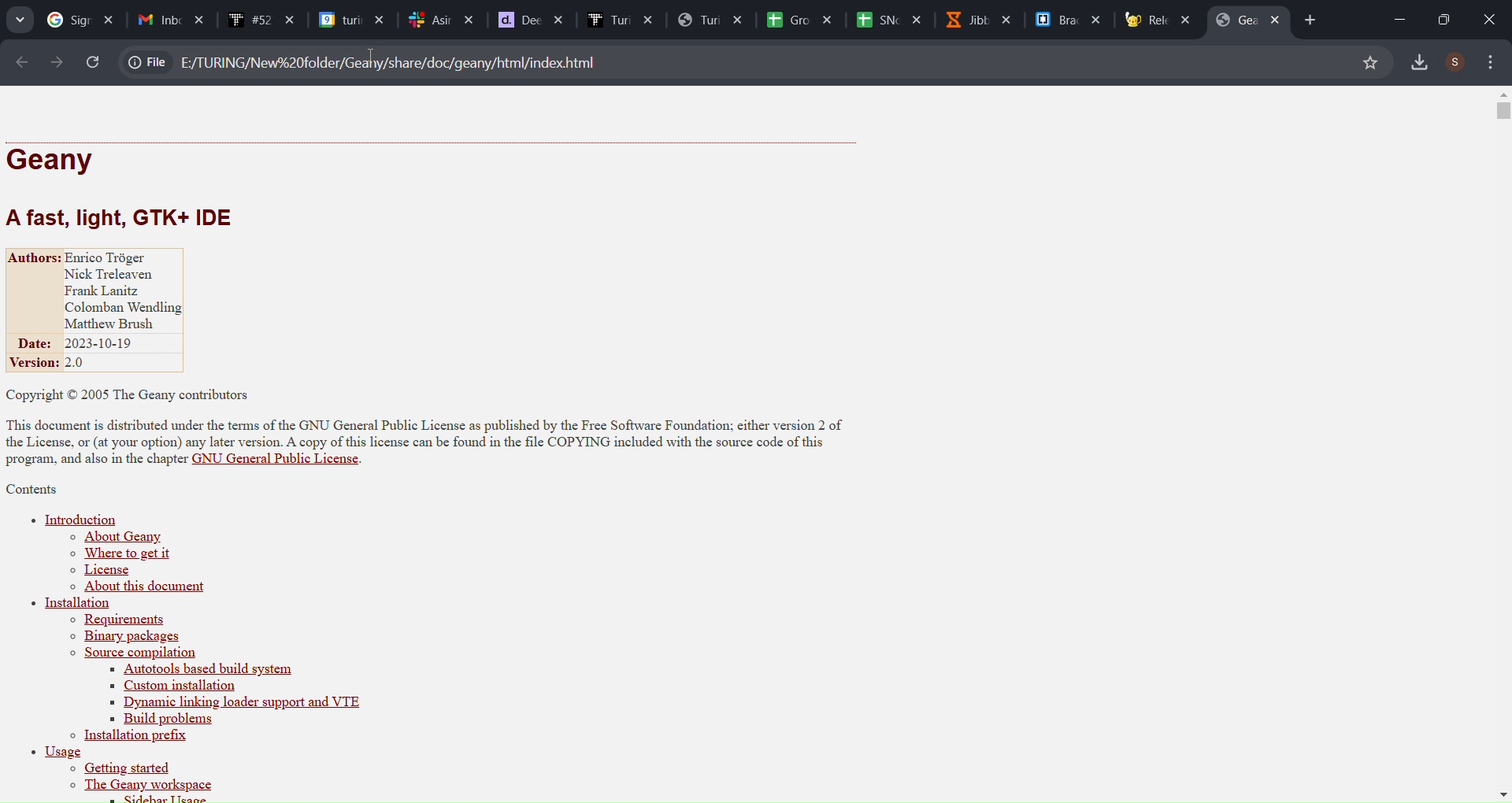  What do you see at coordinates (395, 61) in the screenshot?
I see `link` at bounding box center [395, 61].